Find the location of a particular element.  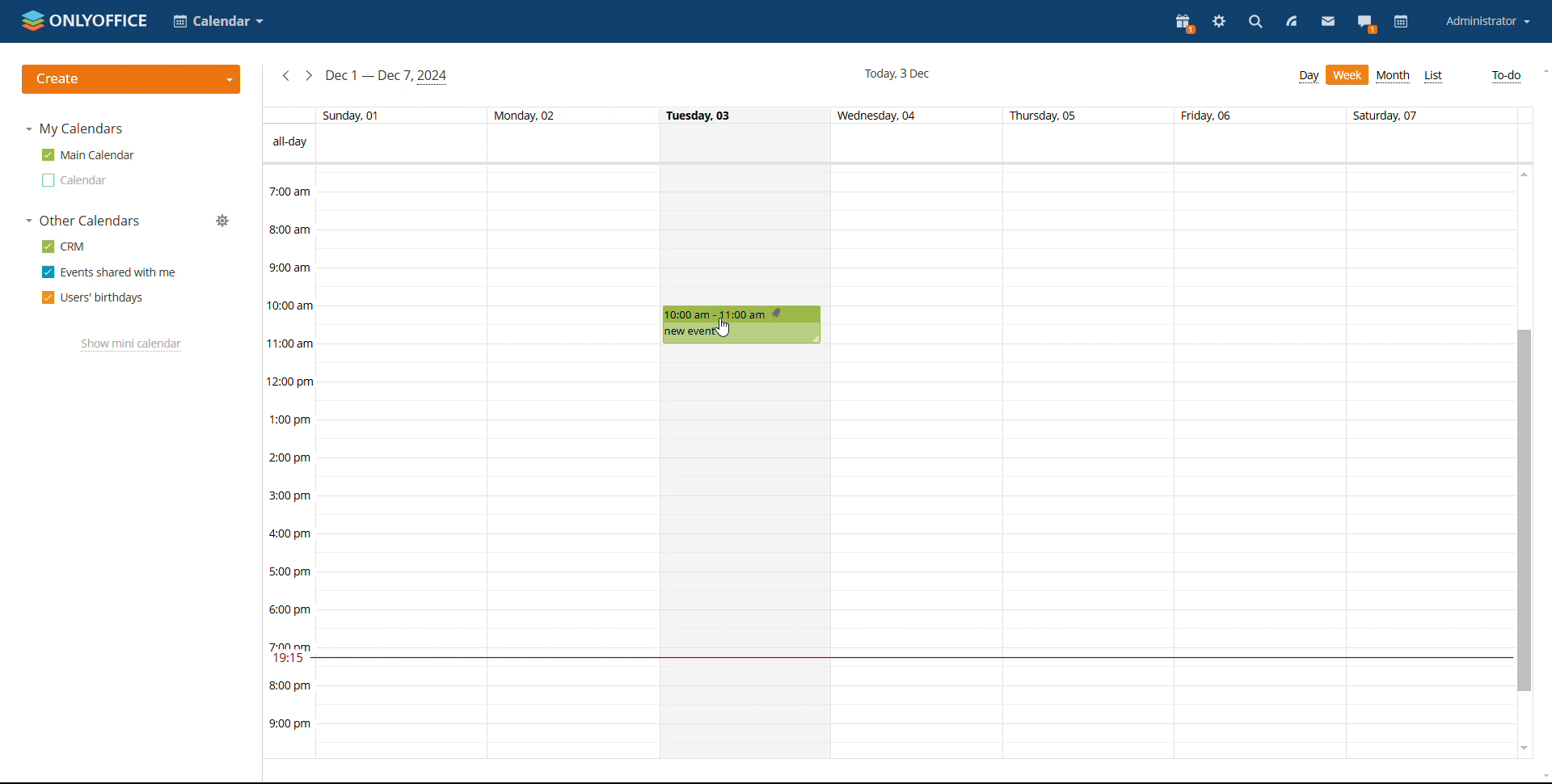

scrollbar is located at coordinates (1526, 512).